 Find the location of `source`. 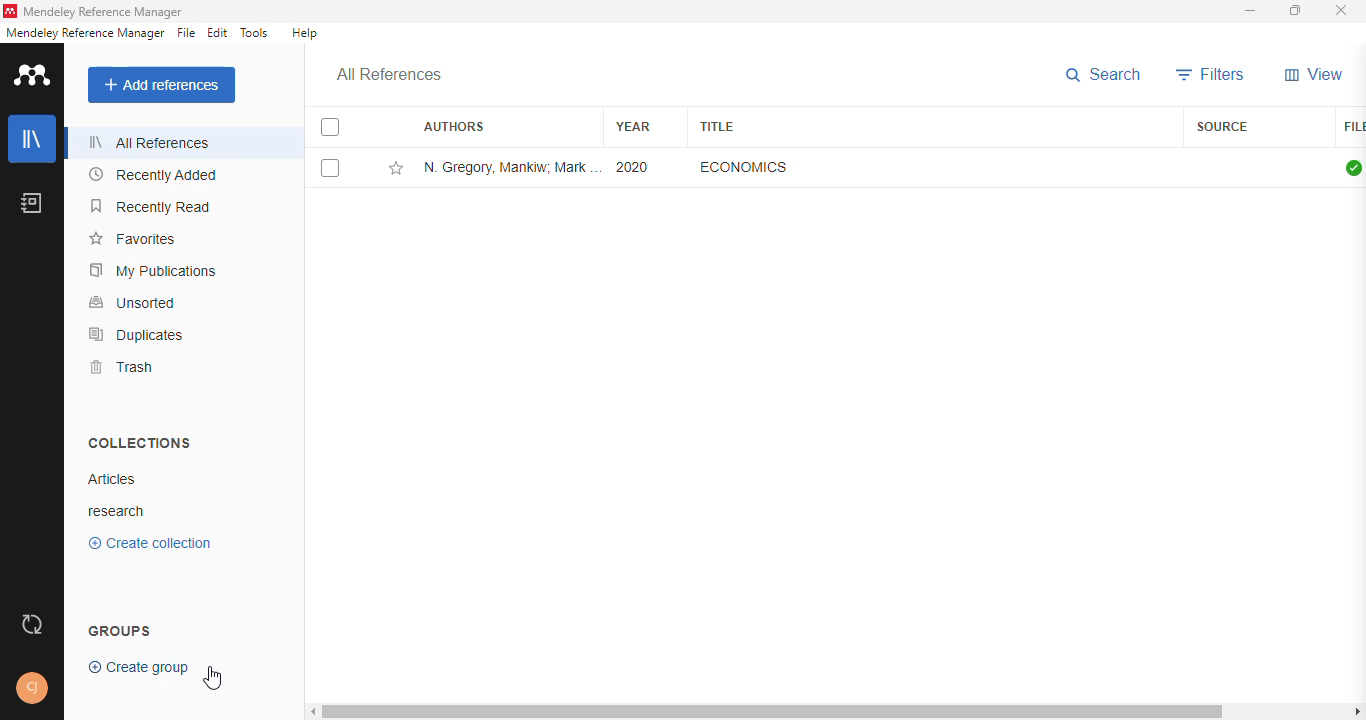

source is located at coordinates (1223, 128).